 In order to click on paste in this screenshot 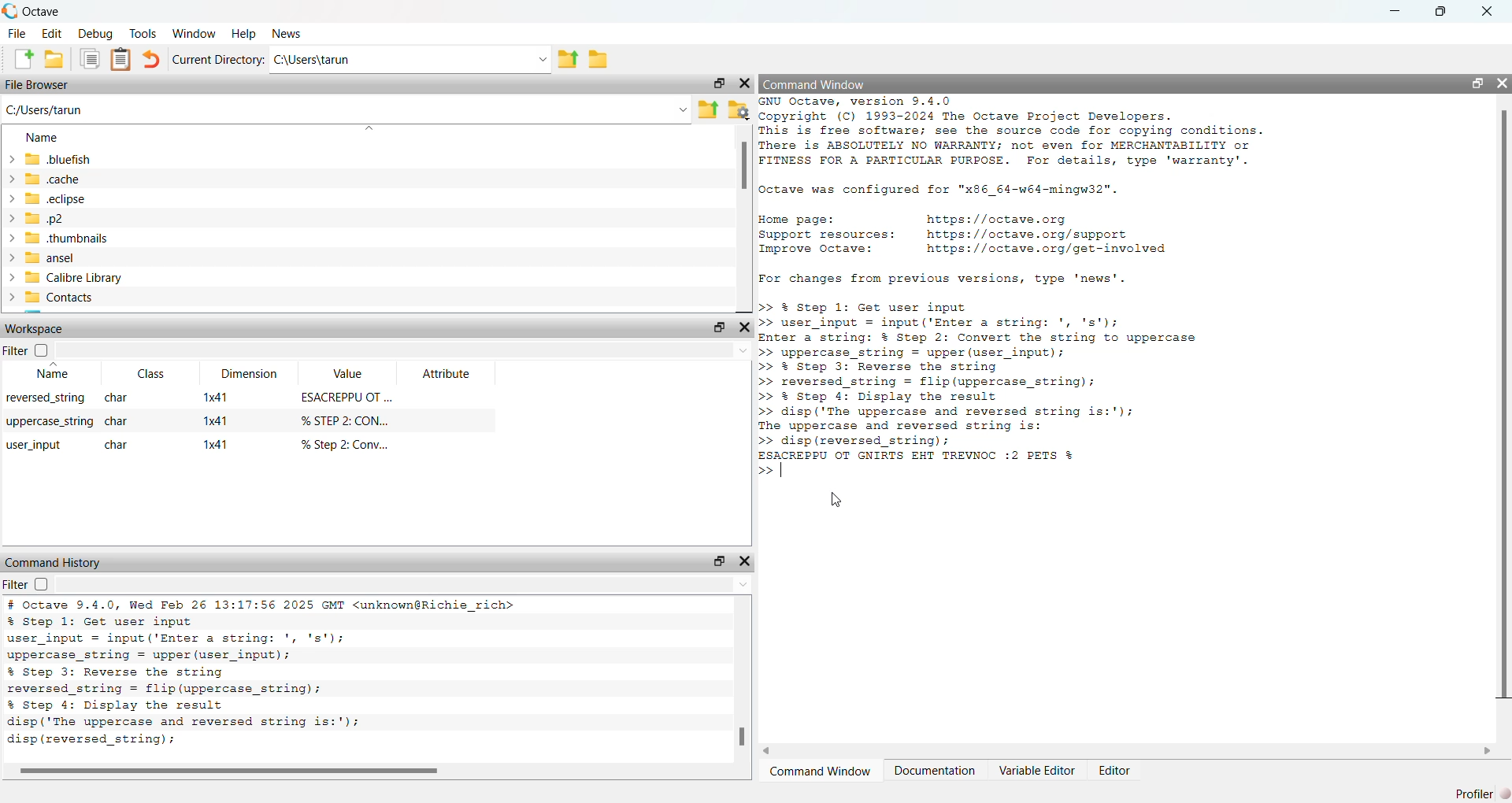, I will do `click(121, 60)`.